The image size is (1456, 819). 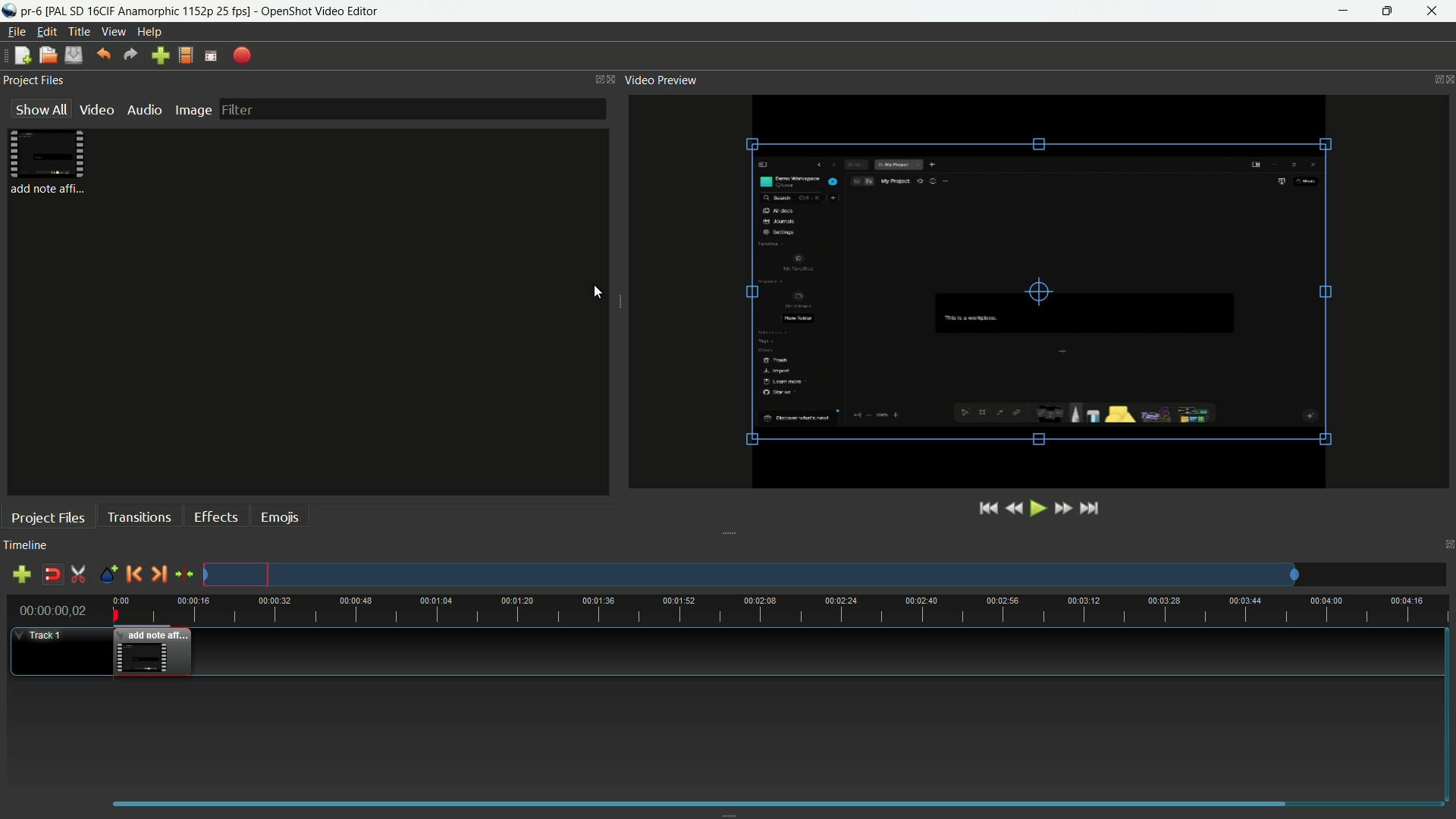 I want to click on name changed to pr-6, so click(x=35, y=11).